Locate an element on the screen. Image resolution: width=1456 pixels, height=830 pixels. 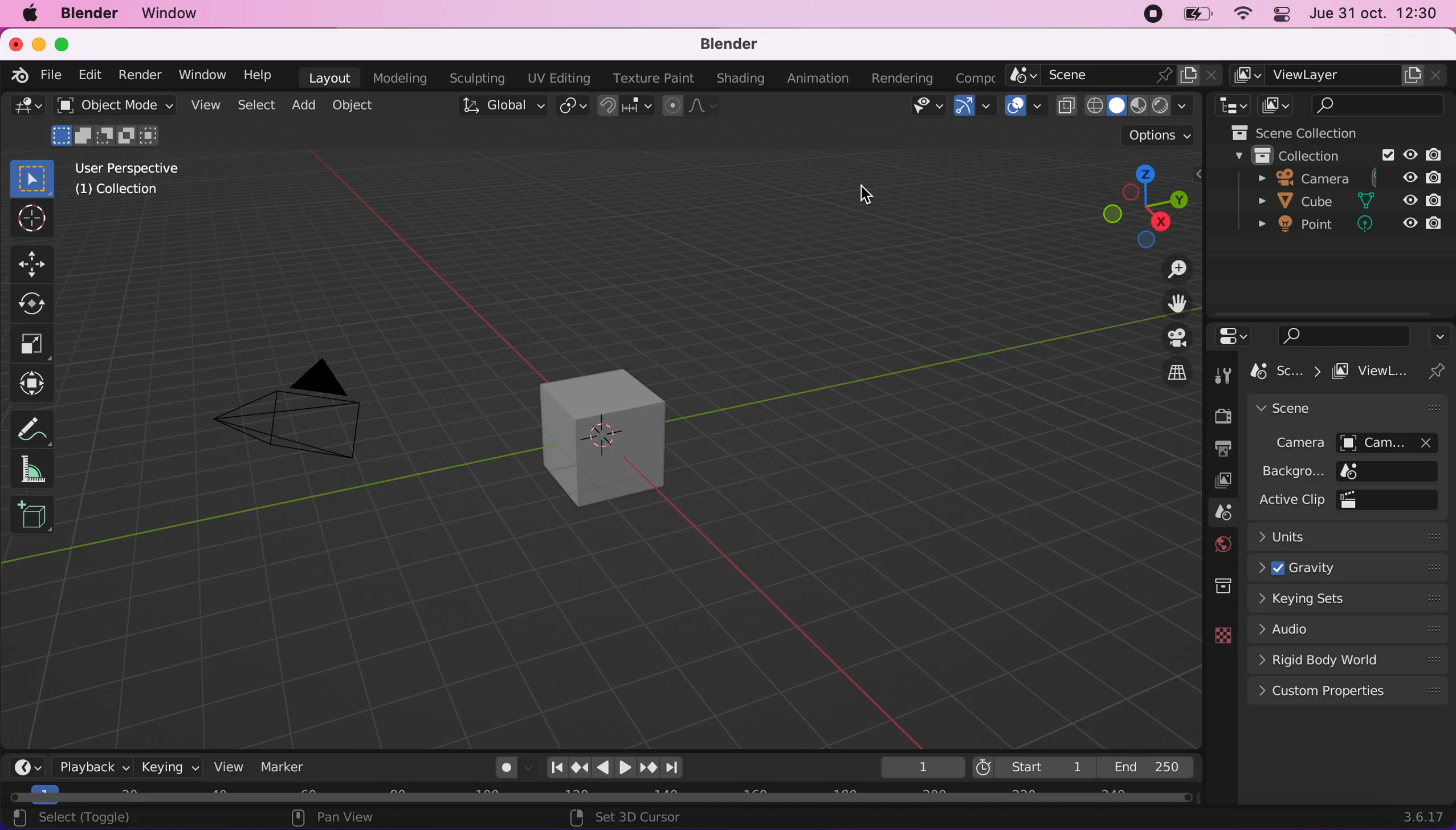
cube is located at coordinates (1298, 202).